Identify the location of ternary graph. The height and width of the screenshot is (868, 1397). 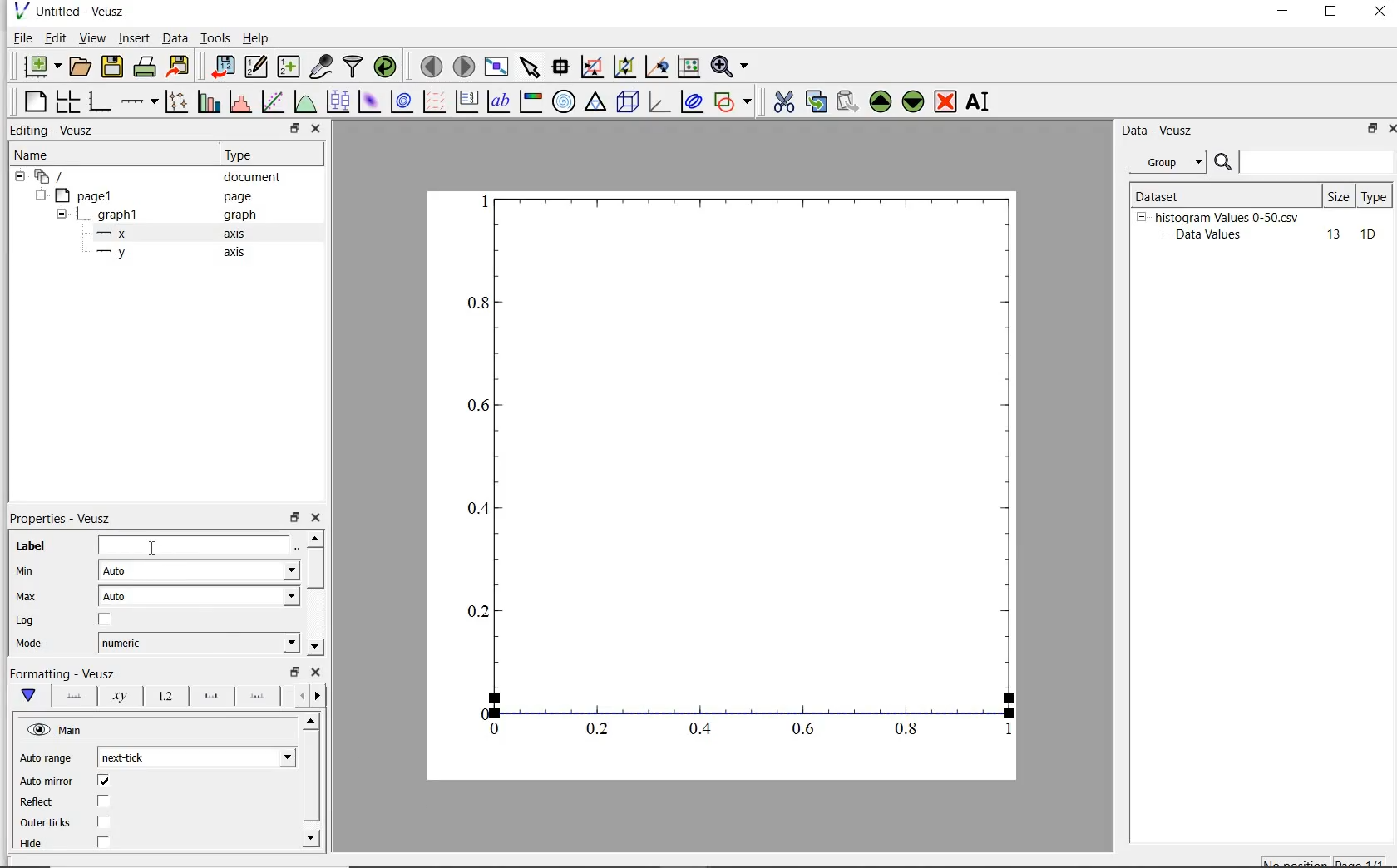
(596, 103).